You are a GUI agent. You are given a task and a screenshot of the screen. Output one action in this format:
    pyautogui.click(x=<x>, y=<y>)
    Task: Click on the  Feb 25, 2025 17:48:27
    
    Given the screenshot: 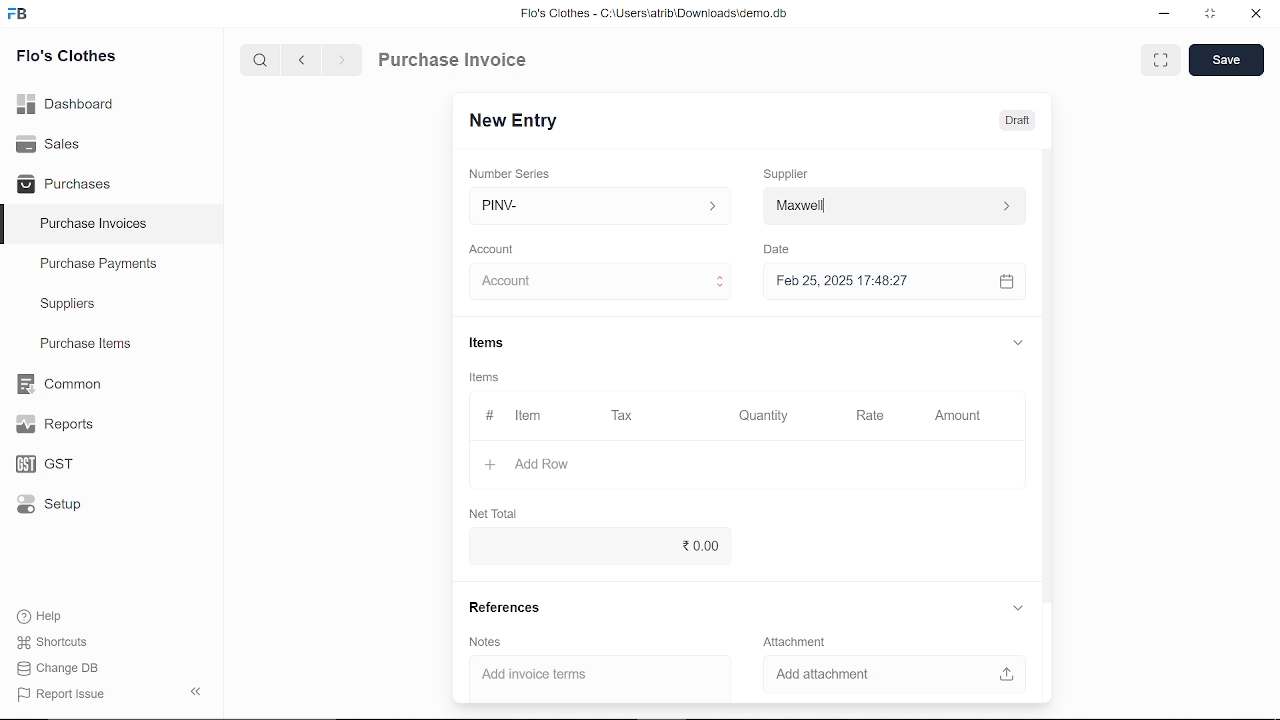 What is the action you would take?
    pyautogui.click(x=874, y=281)
    